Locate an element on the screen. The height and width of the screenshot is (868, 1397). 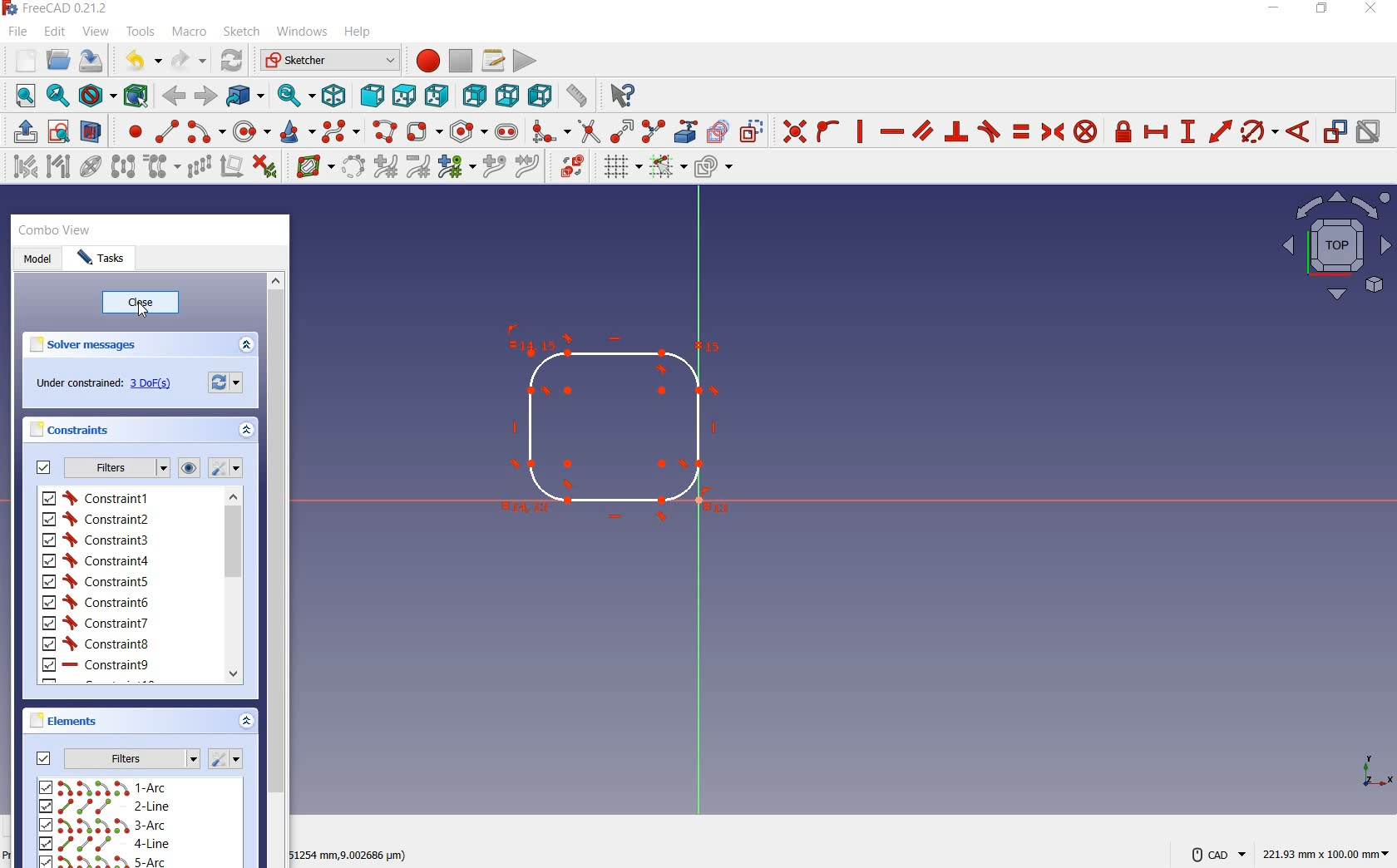
refresh is located at coordinates (232, 59).